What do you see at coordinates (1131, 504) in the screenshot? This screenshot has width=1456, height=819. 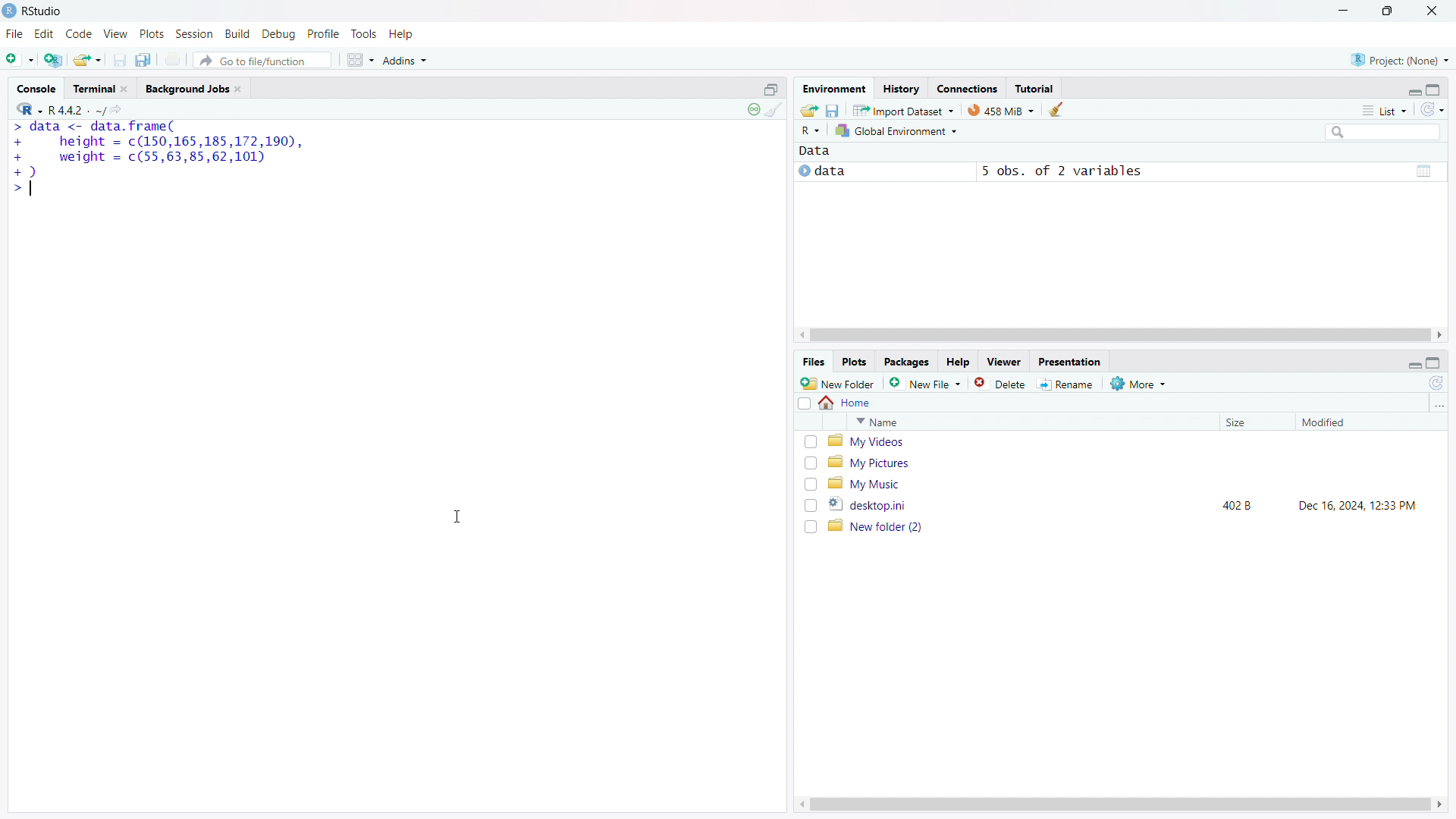 I see `desktop.in  402B Dec 16, 2024, 12:33PM` at bounding box center [1131, 504].